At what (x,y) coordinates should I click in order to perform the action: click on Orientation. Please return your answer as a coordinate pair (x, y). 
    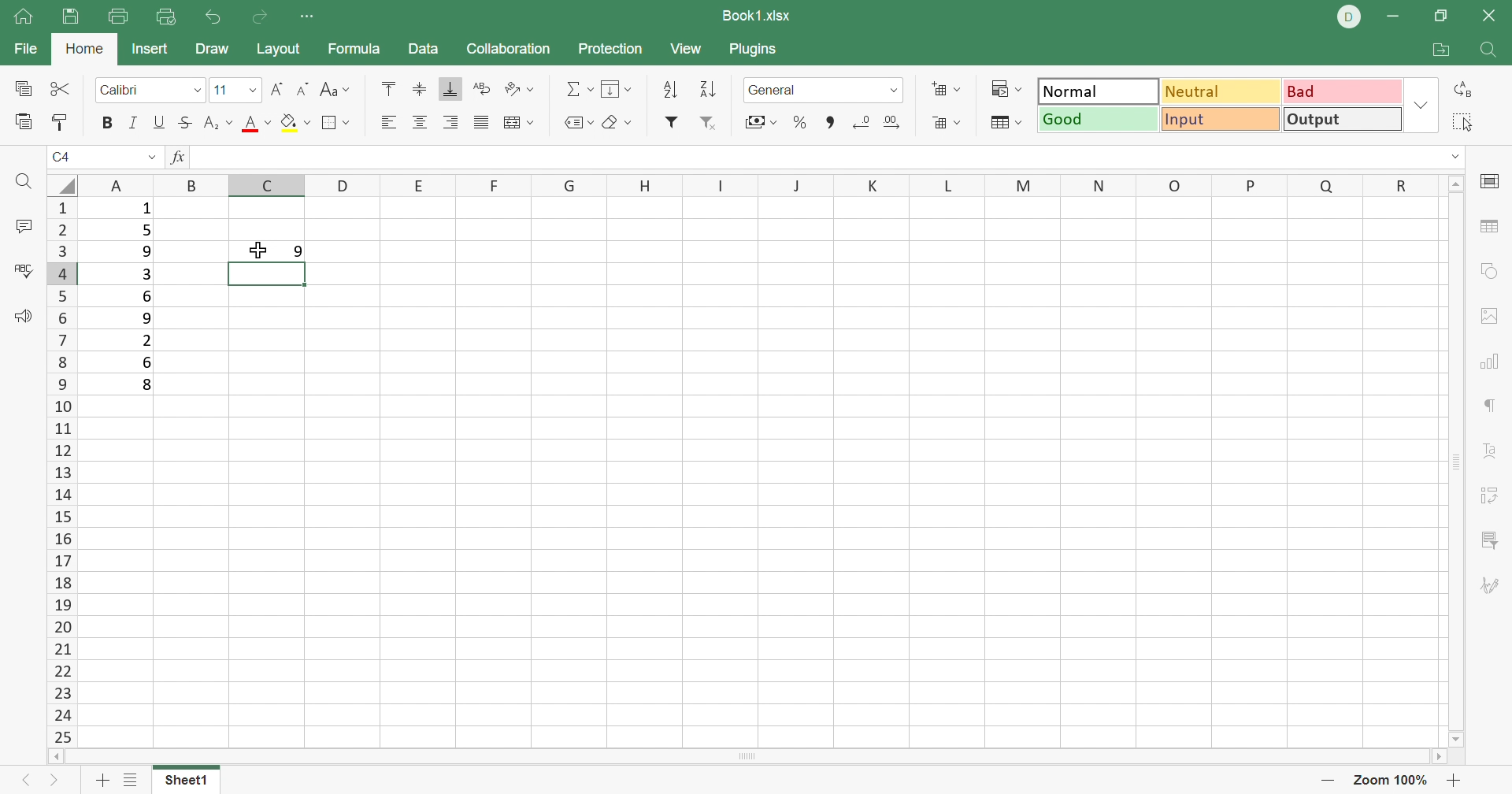
    Looking at the image, I should click on (521, 91).